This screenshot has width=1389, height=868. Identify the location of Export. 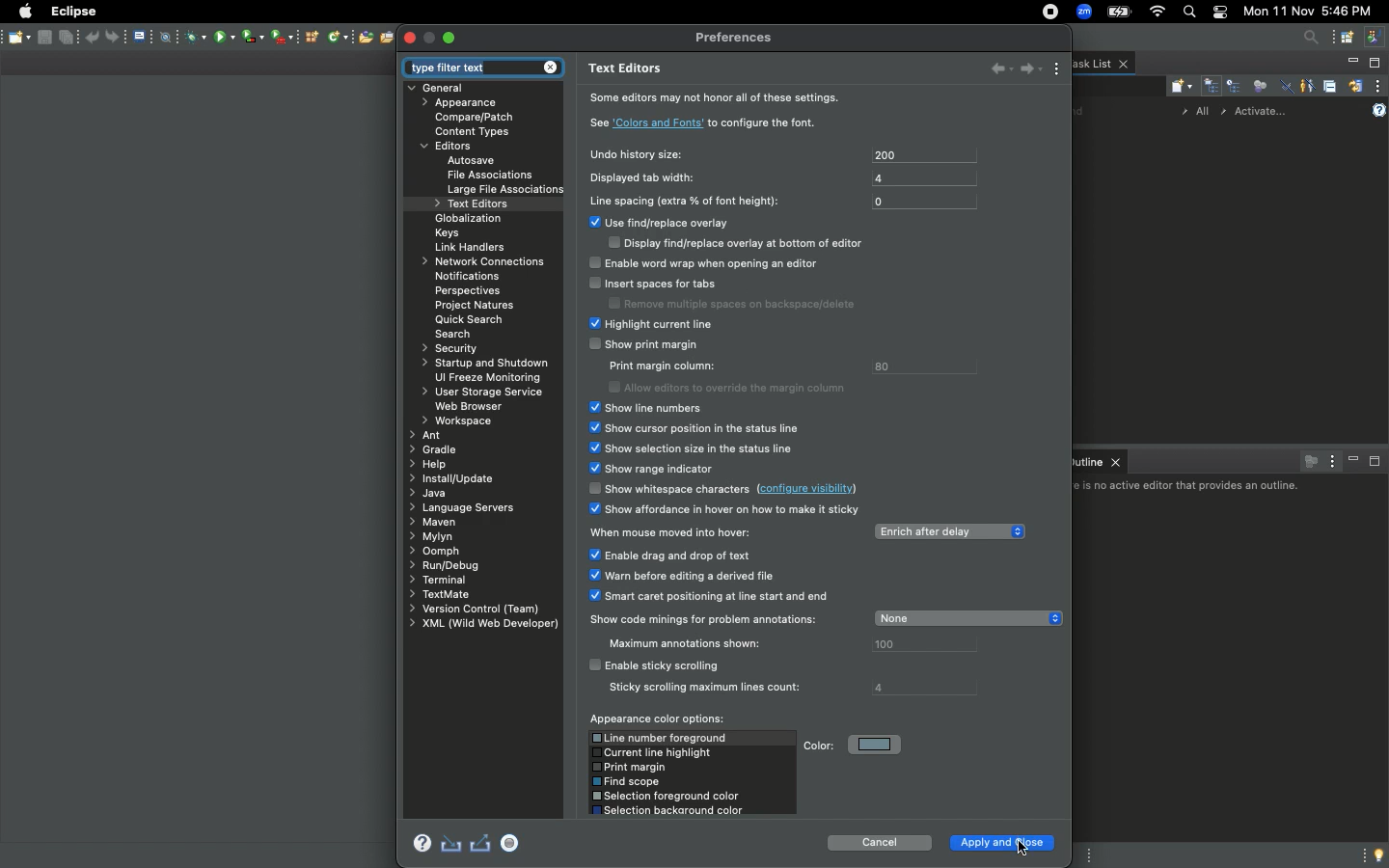
(480, 843).